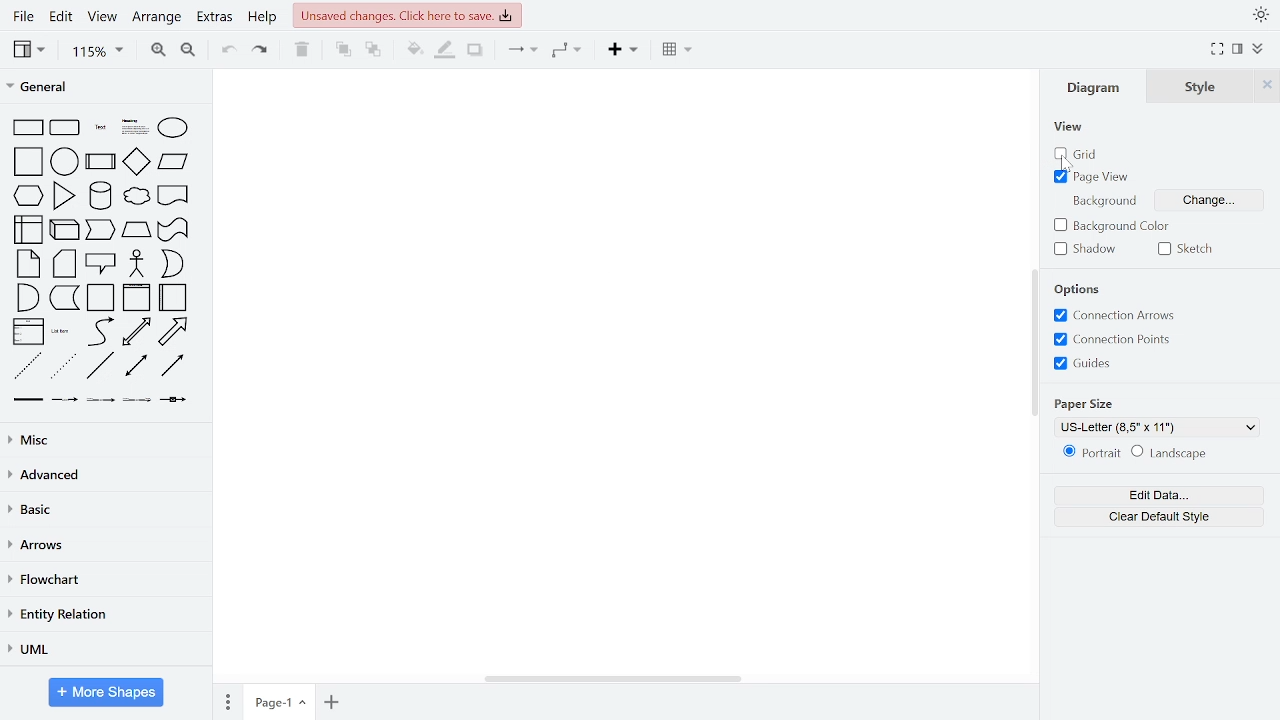  What do you see at coordinates (135, 264) in the screenshot?
I see `actor` at bounding box center [135, 264].